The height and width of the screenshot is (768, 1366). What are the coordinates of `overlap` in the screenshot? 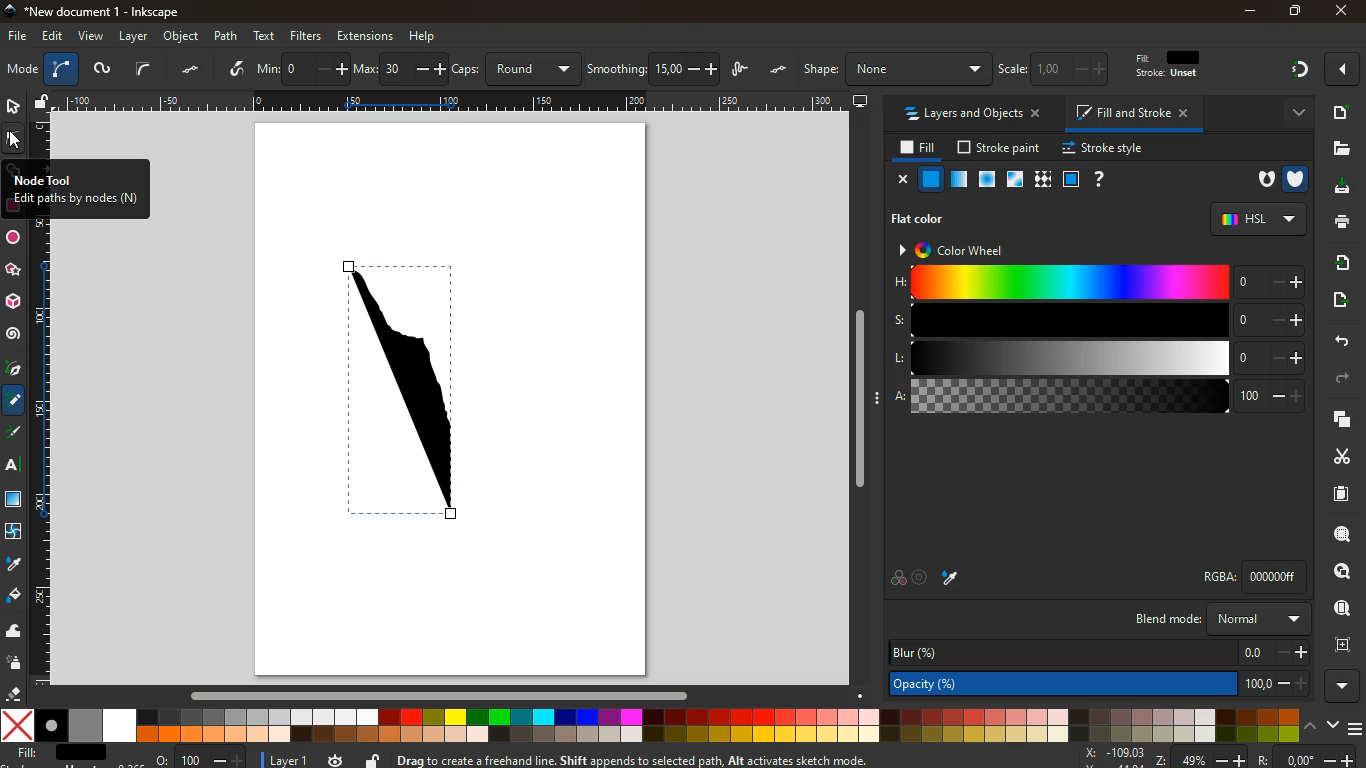 It's located at (898, 578).